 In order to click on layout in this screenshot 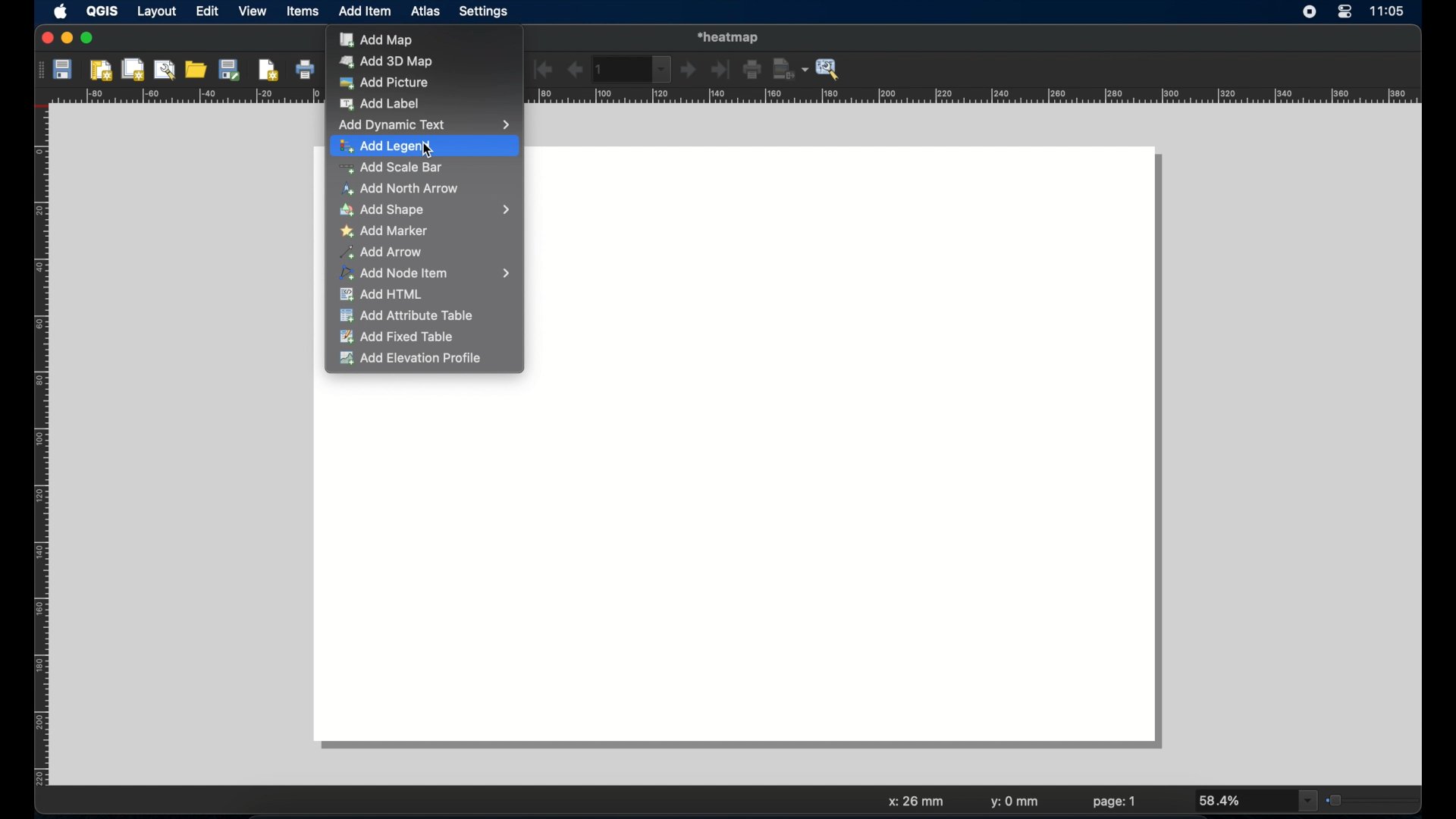, I will do `click(156, 13)`.